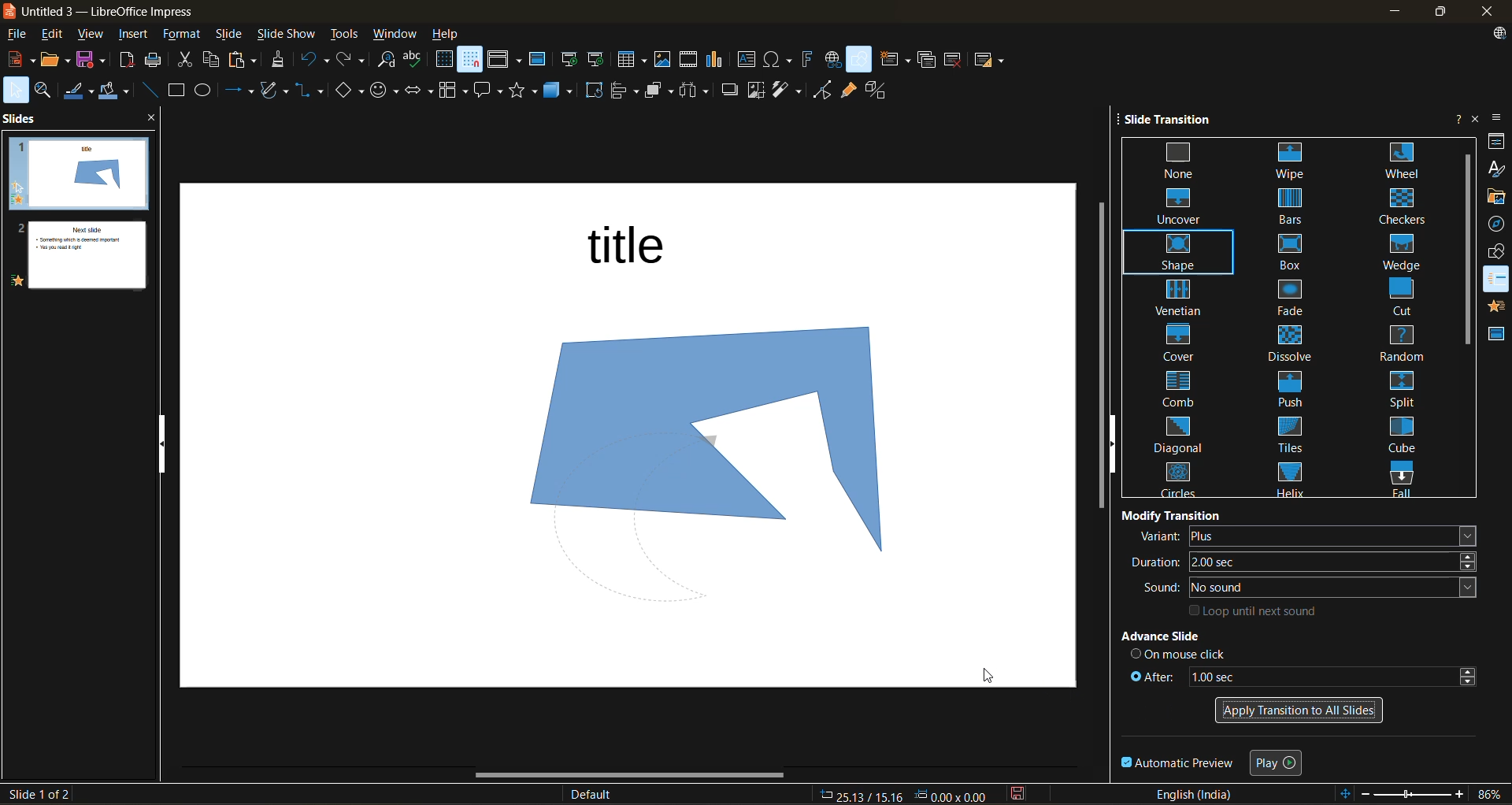 This screenshot has height=805, width=1512. Describe the element at coordinates (1279, 761) in the screenshot. I see `play` at that location.